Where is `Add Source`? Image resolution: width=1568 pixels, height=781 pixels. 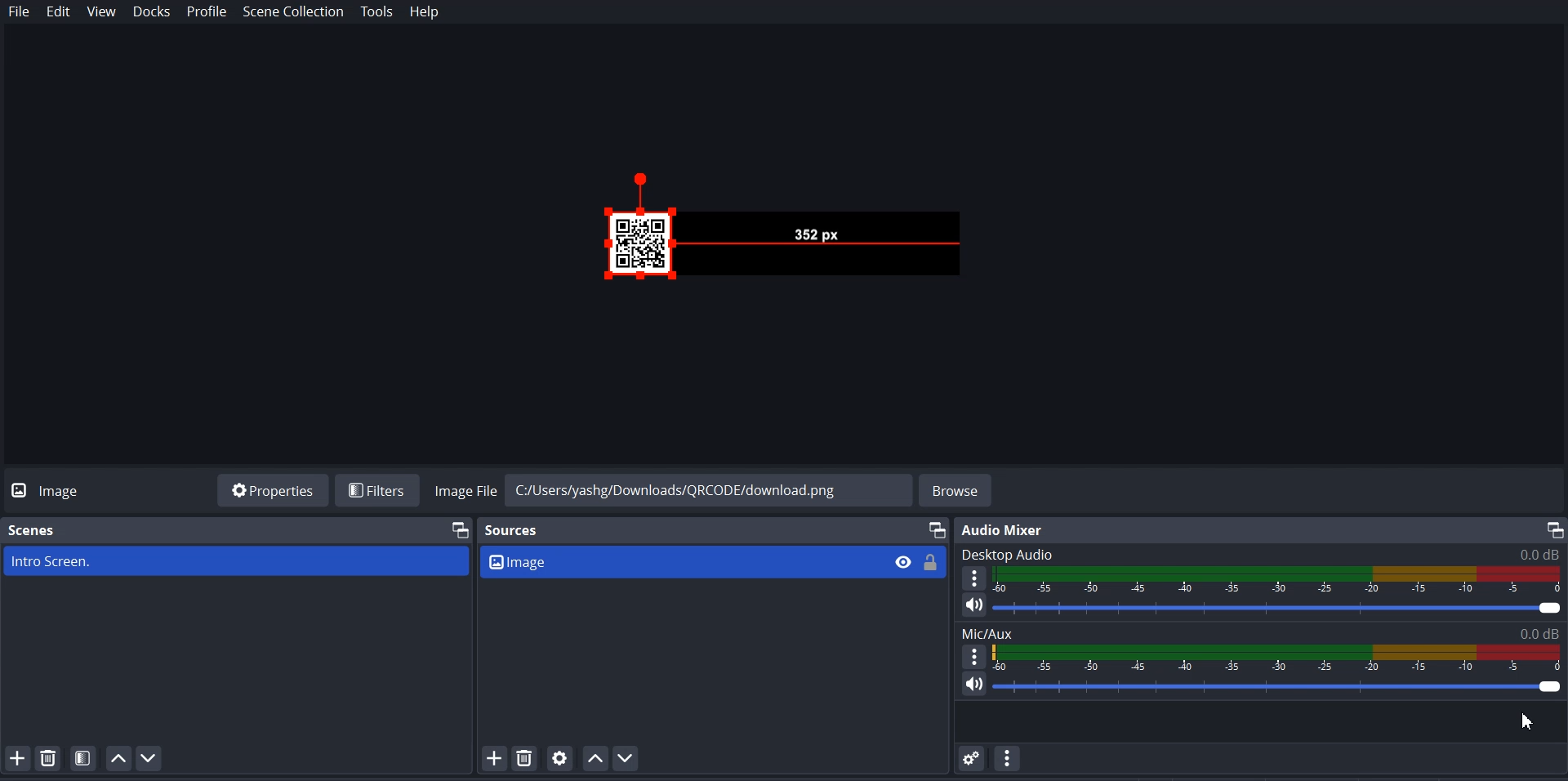 Add Source is located at coordinates (494, 758).